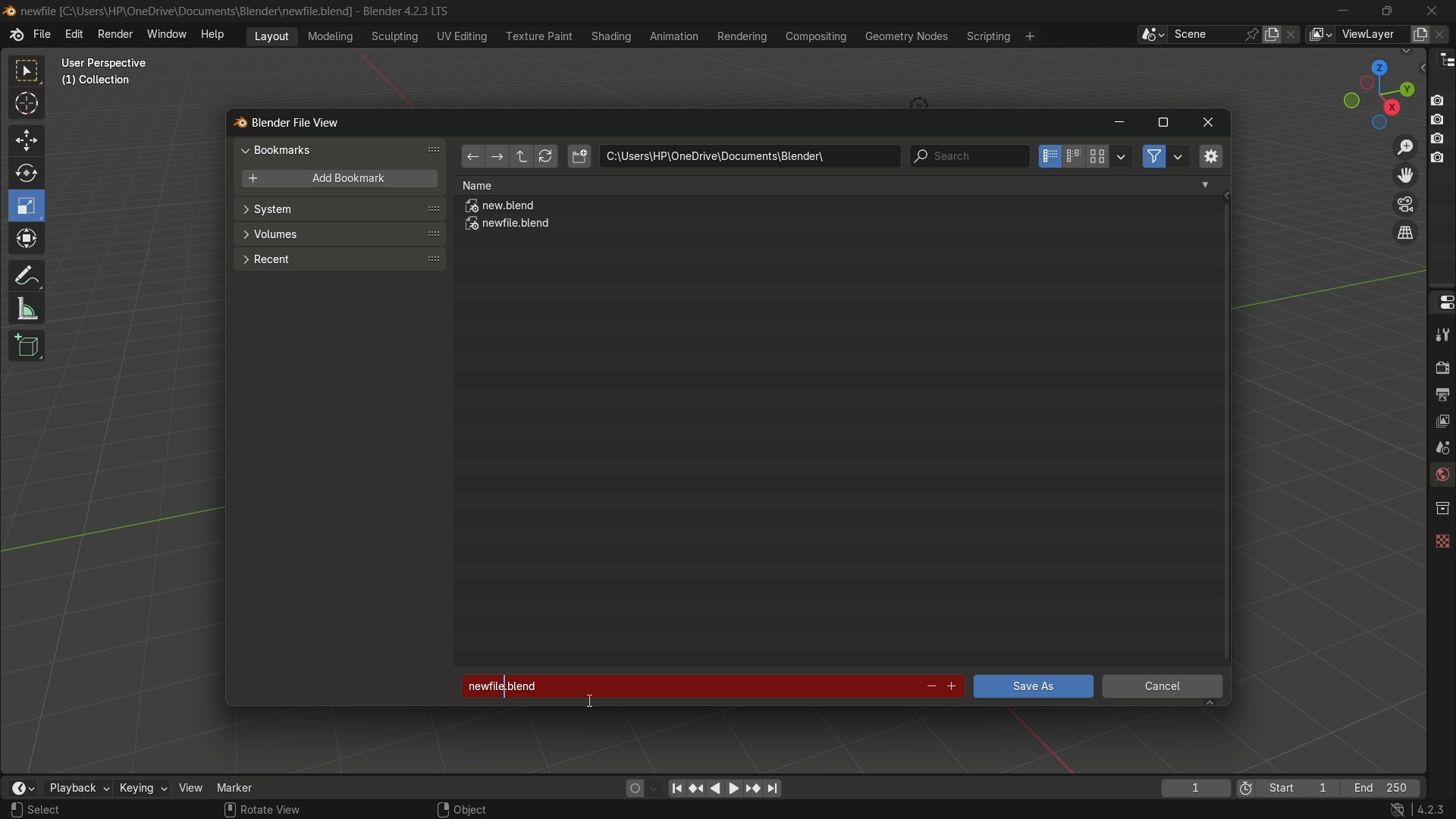  I want to click on timeline, so click(22, 788).